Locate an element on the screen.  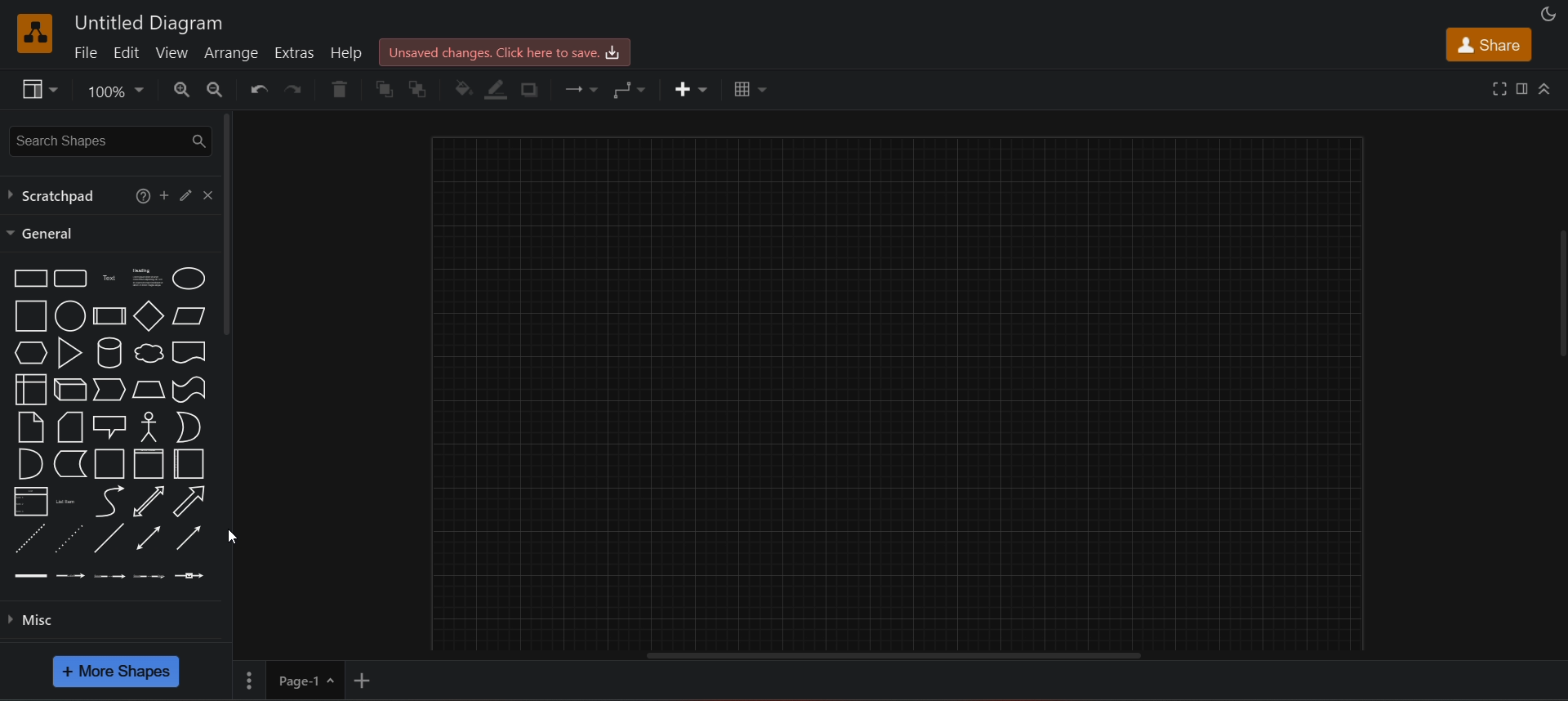
vertical scroll bar is located at coordinates (231, 227).